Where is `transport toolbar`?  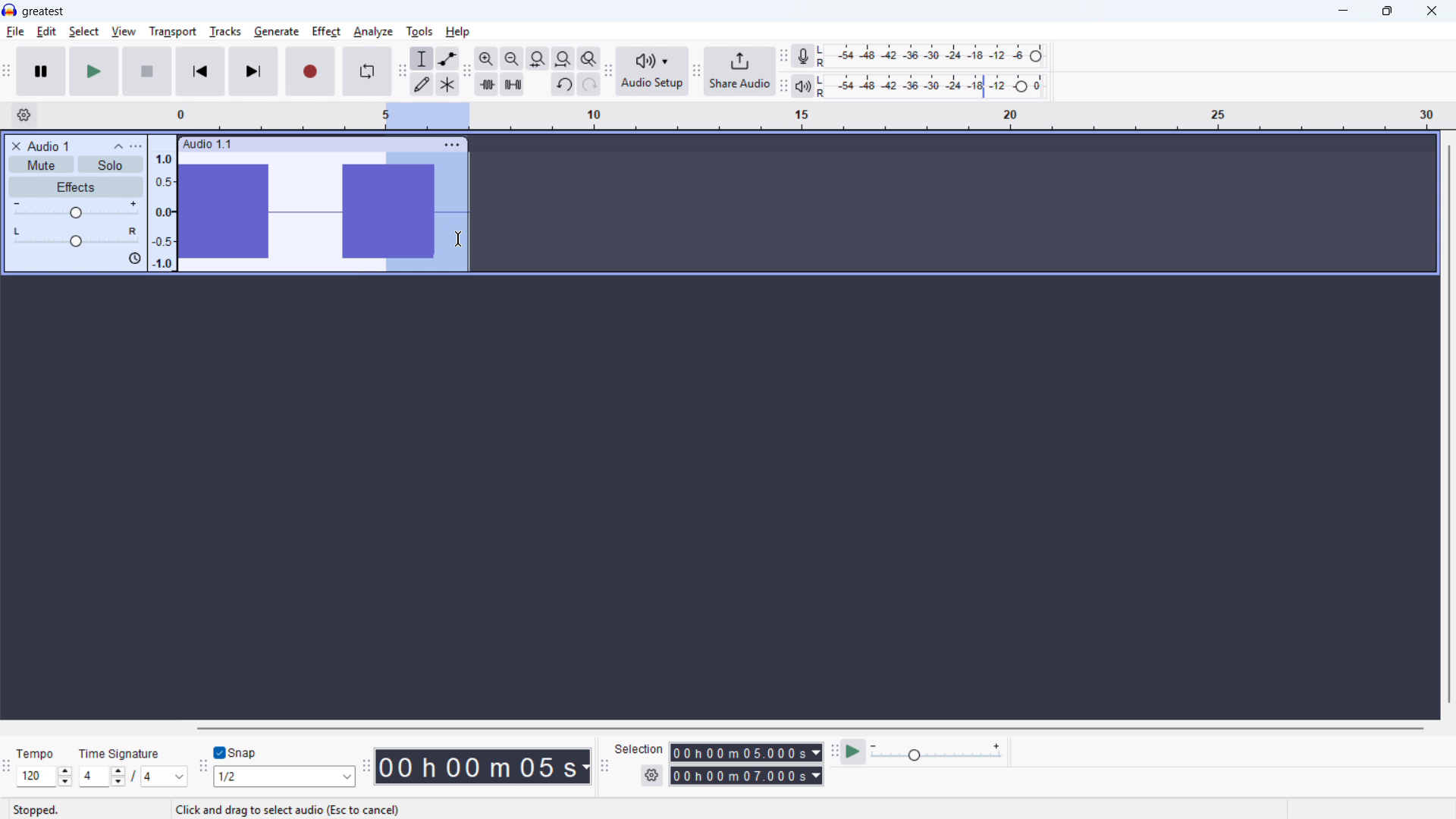 transport toolbar is located at coordinates (7, 73).